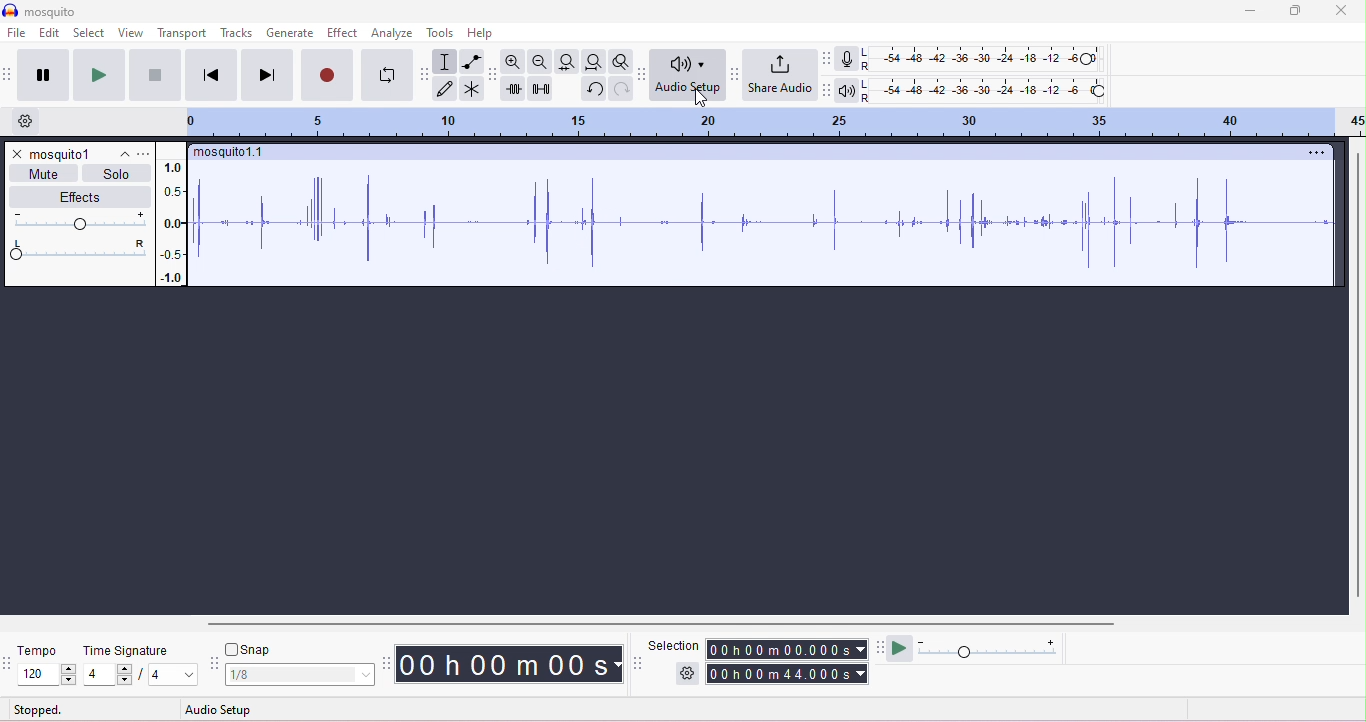  I want to click on recording meter, so click(846, 60).